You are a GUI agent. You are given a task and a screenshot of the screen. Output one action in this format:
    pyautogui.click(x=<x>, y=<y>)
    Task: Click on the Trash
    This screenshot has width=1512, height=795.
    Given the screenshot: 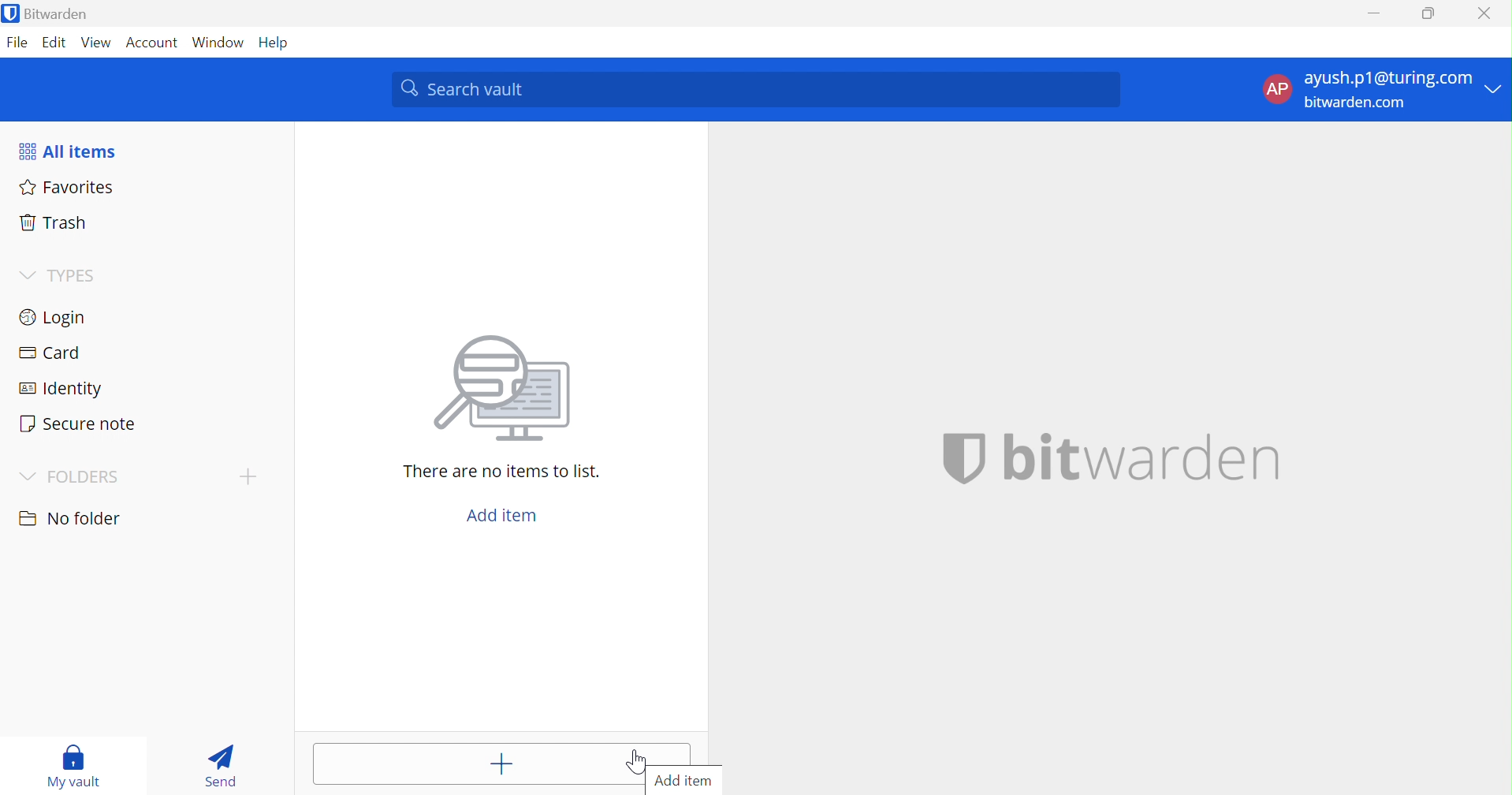 What is the action you would take?
    pyautogui.click(x=50, y=223)
    